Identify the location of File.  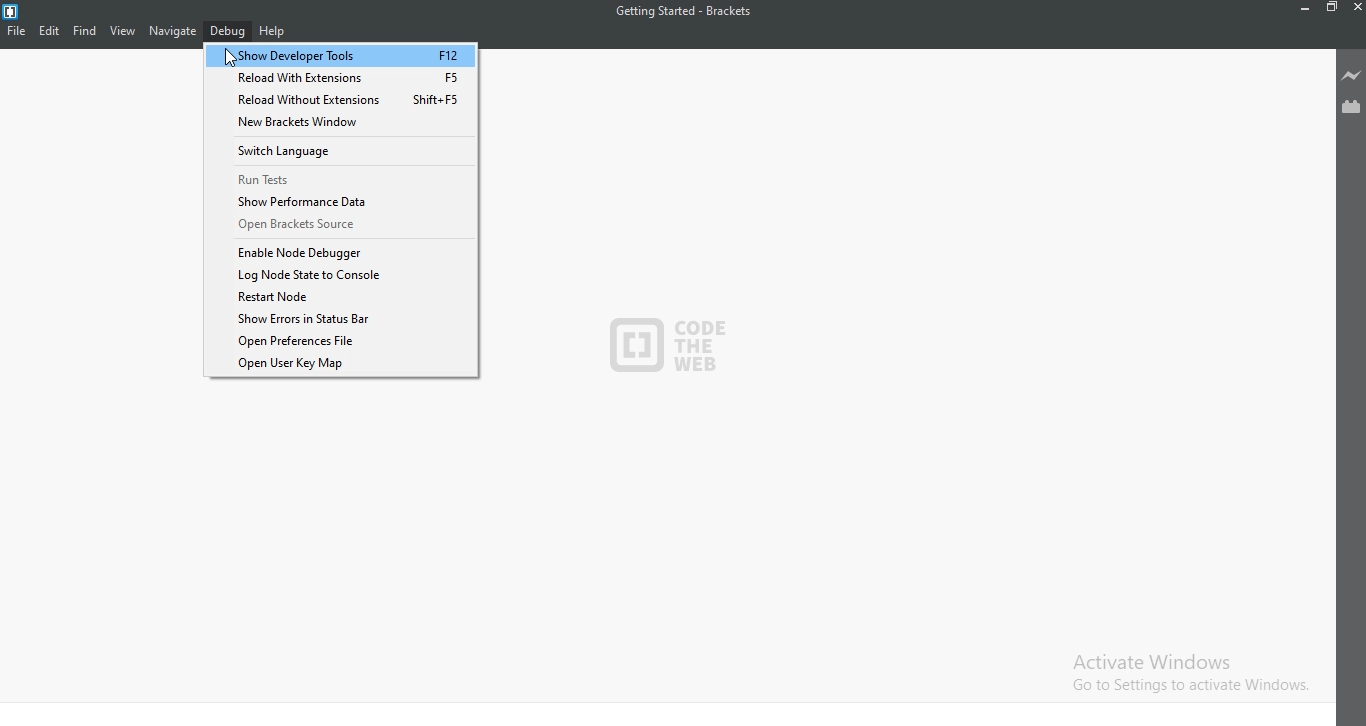
(18, 31).